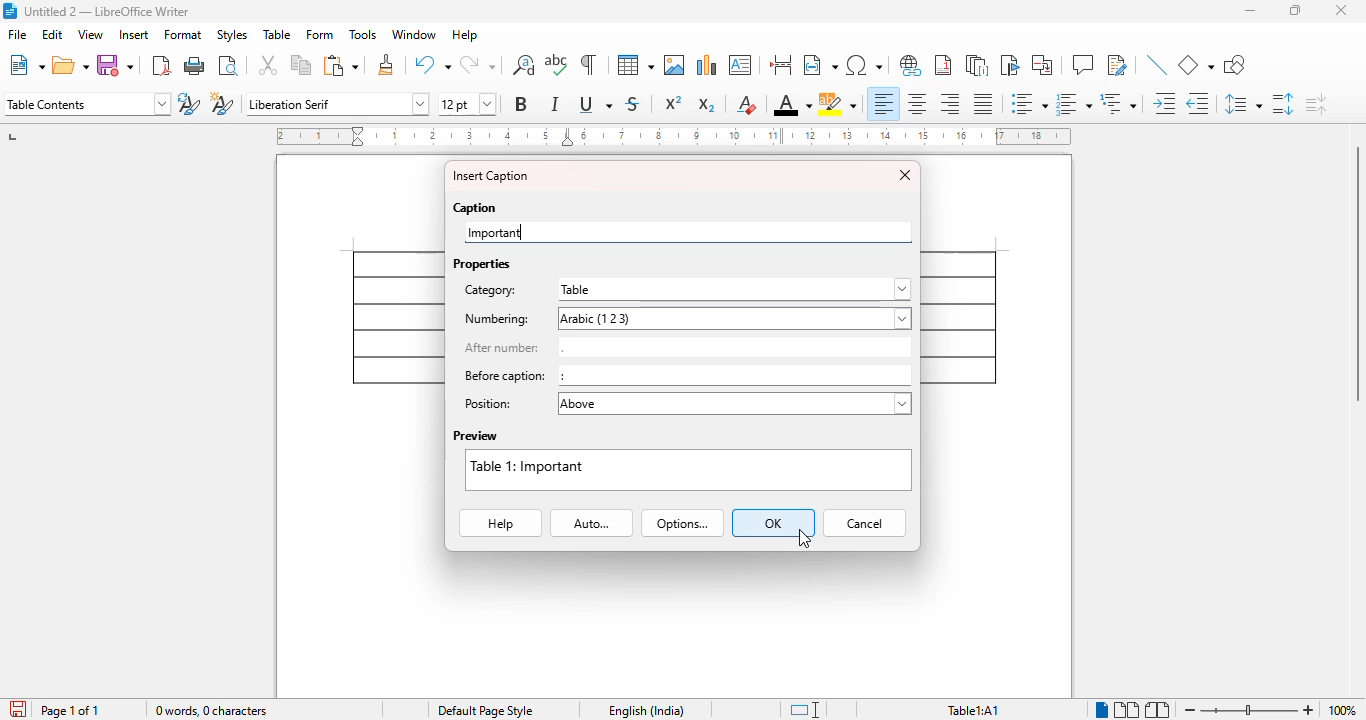 Image resolution: width=1366 pixels, height=720 pixels. Describe the element at coordinates (1283, 104) in the screenshot. I see `increase paragraph spacing` at that location.